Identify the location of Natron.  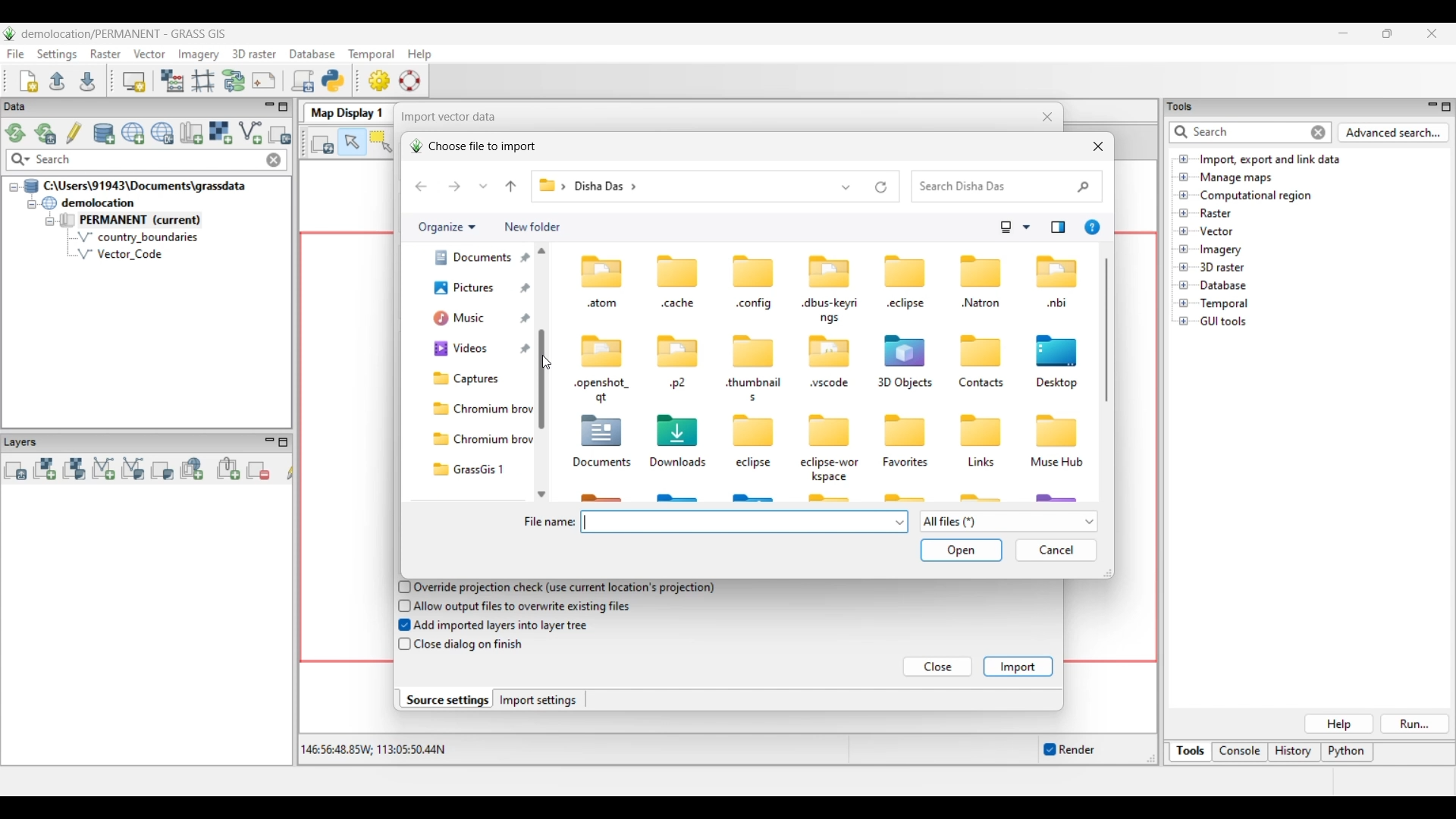
(981, 303).